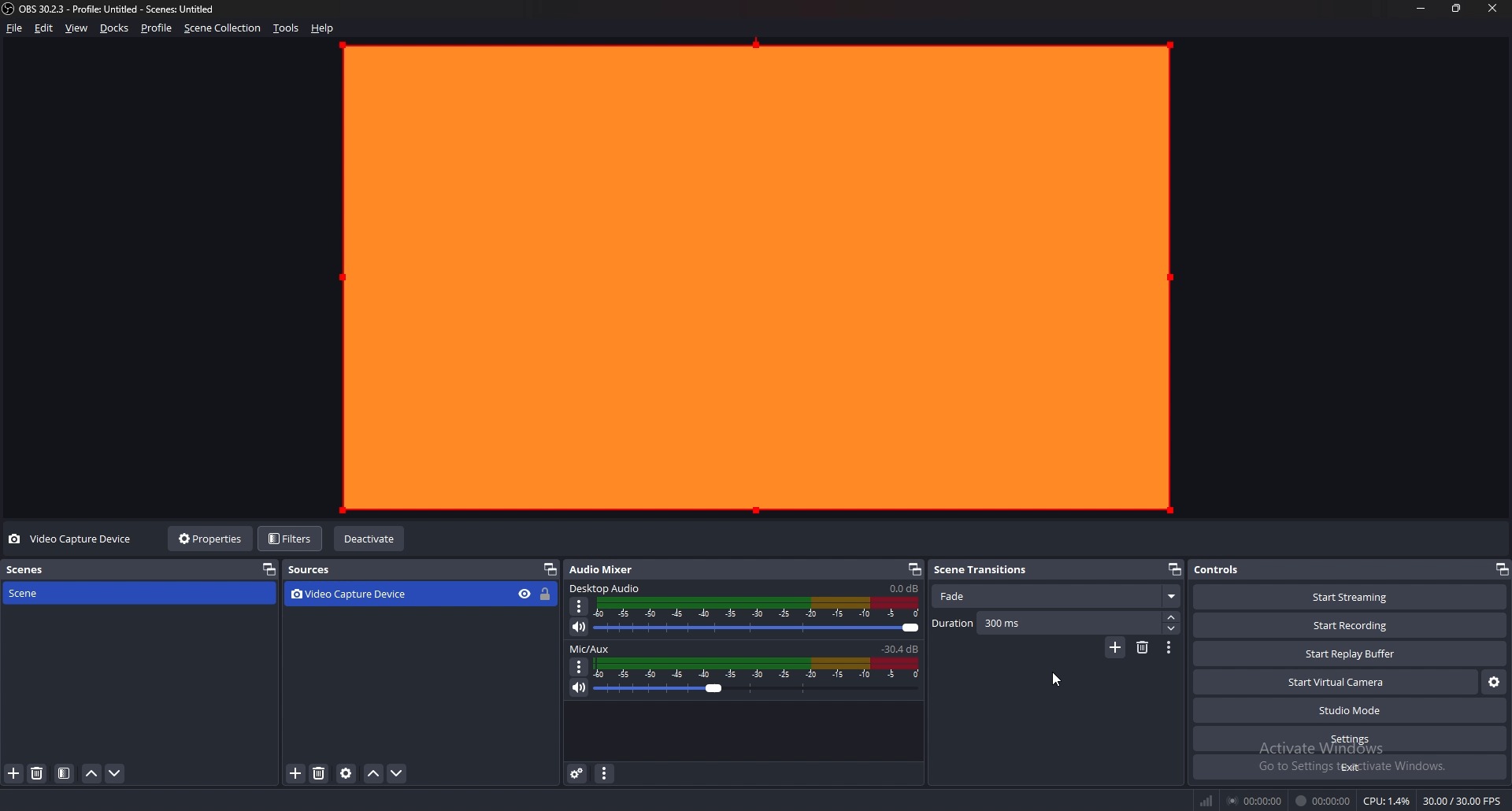 Image resolution: width=1512 pixels, height=811 pixels. What do you see at coordinates (1058, 682) in the screenshot?
I see `cursor` at bounding box center [1058, 682].